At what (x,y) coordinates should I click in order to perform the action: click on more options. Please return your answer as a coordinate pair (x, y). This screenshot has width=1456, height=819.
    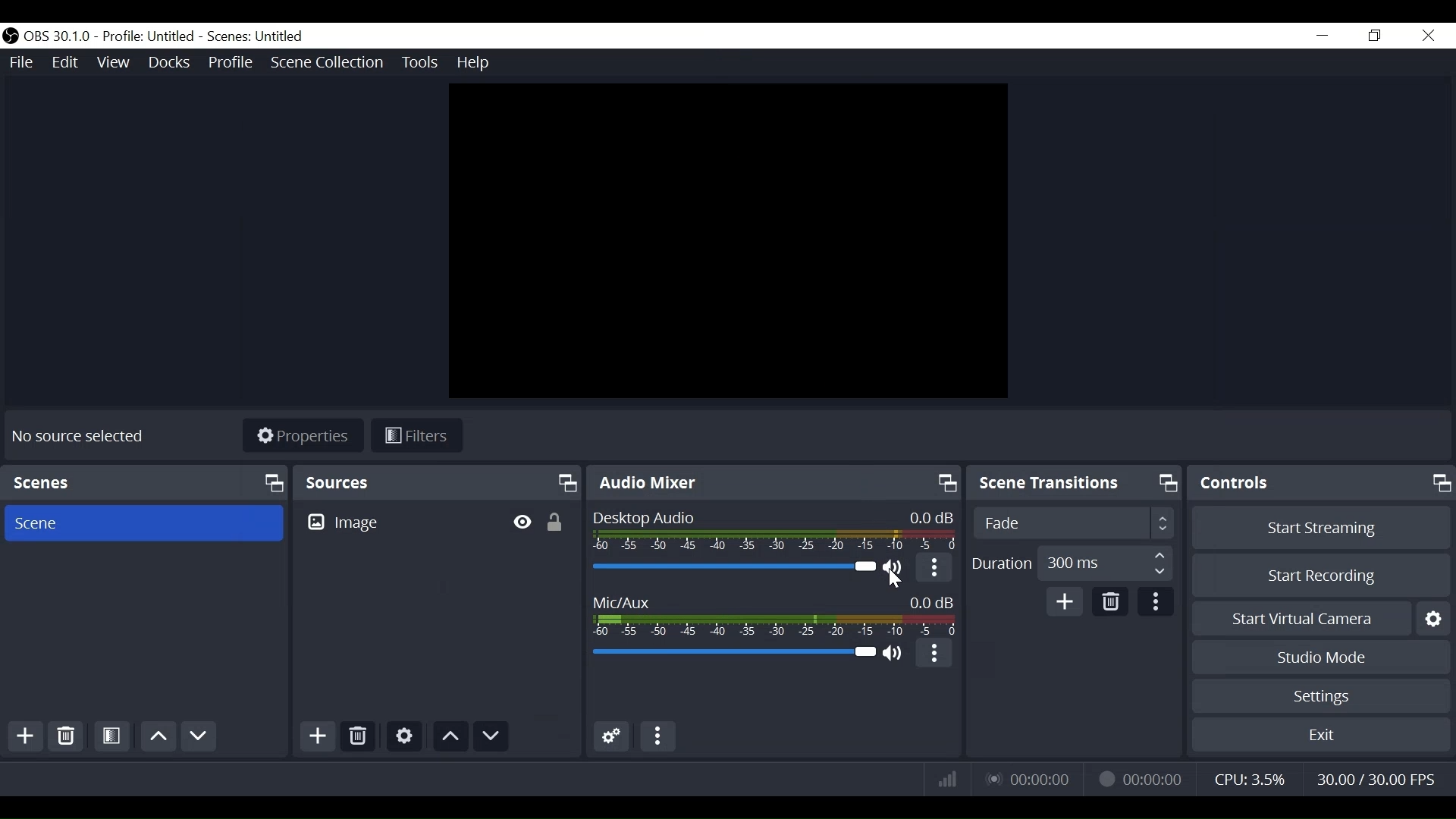
    Looking at the image, I should click on (1157, 601).